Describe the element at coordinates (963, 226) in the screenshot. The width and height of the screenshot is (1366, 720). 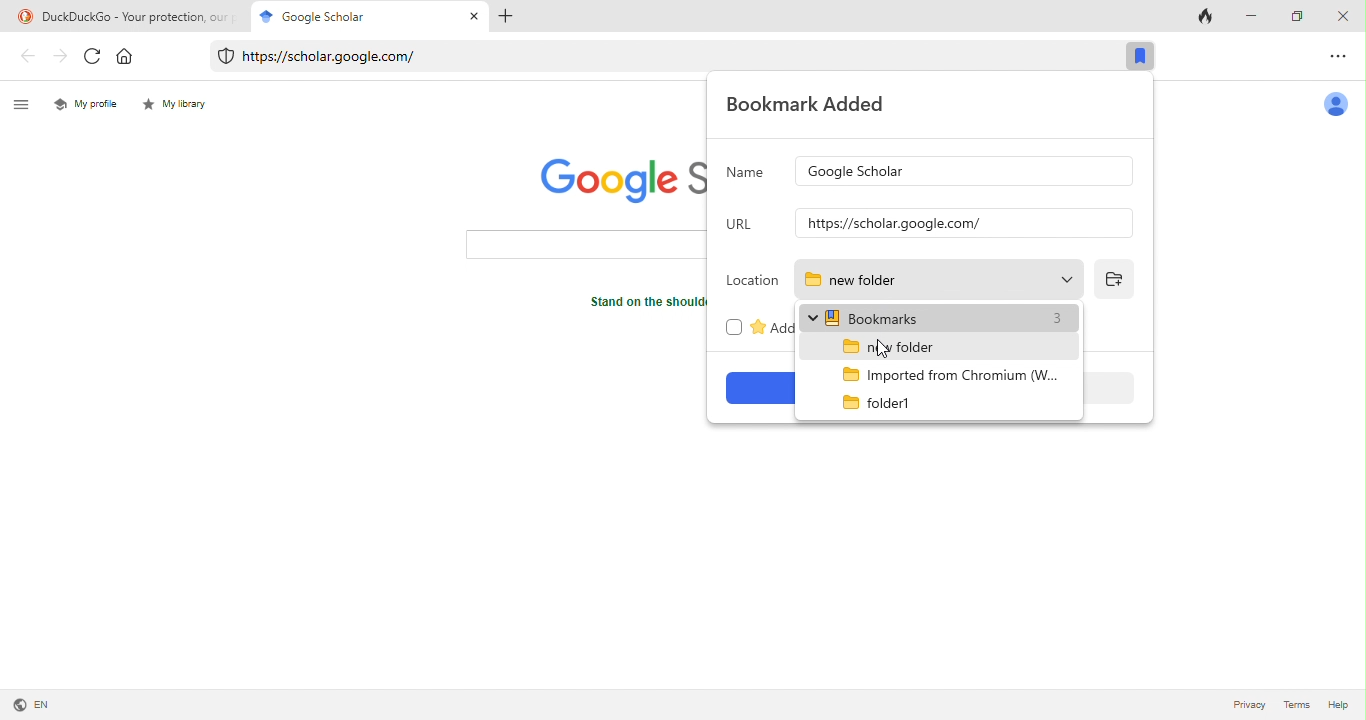
I see `input url` at that location.